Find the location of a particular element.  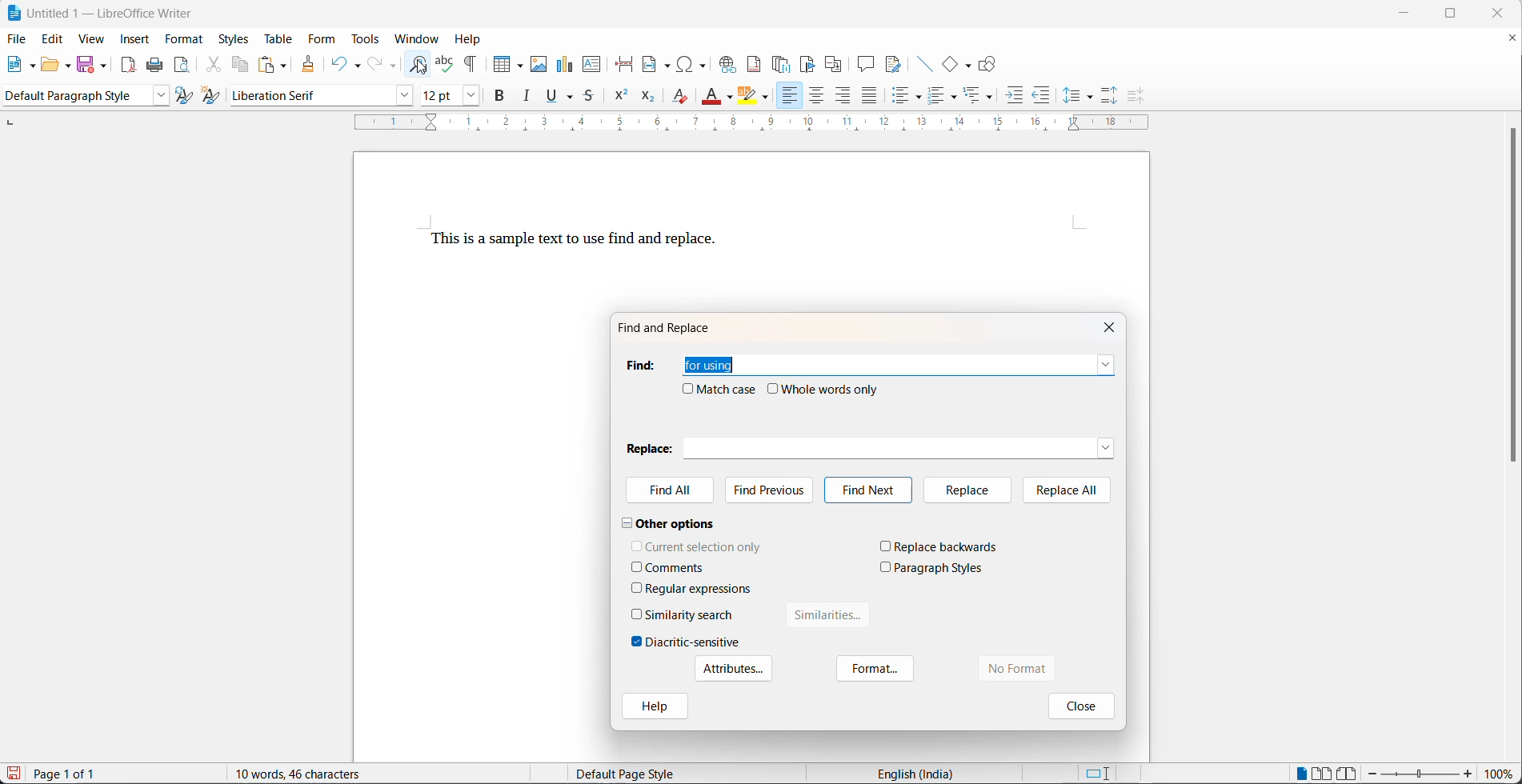

insert special characters is located at coordinates (696, 64).